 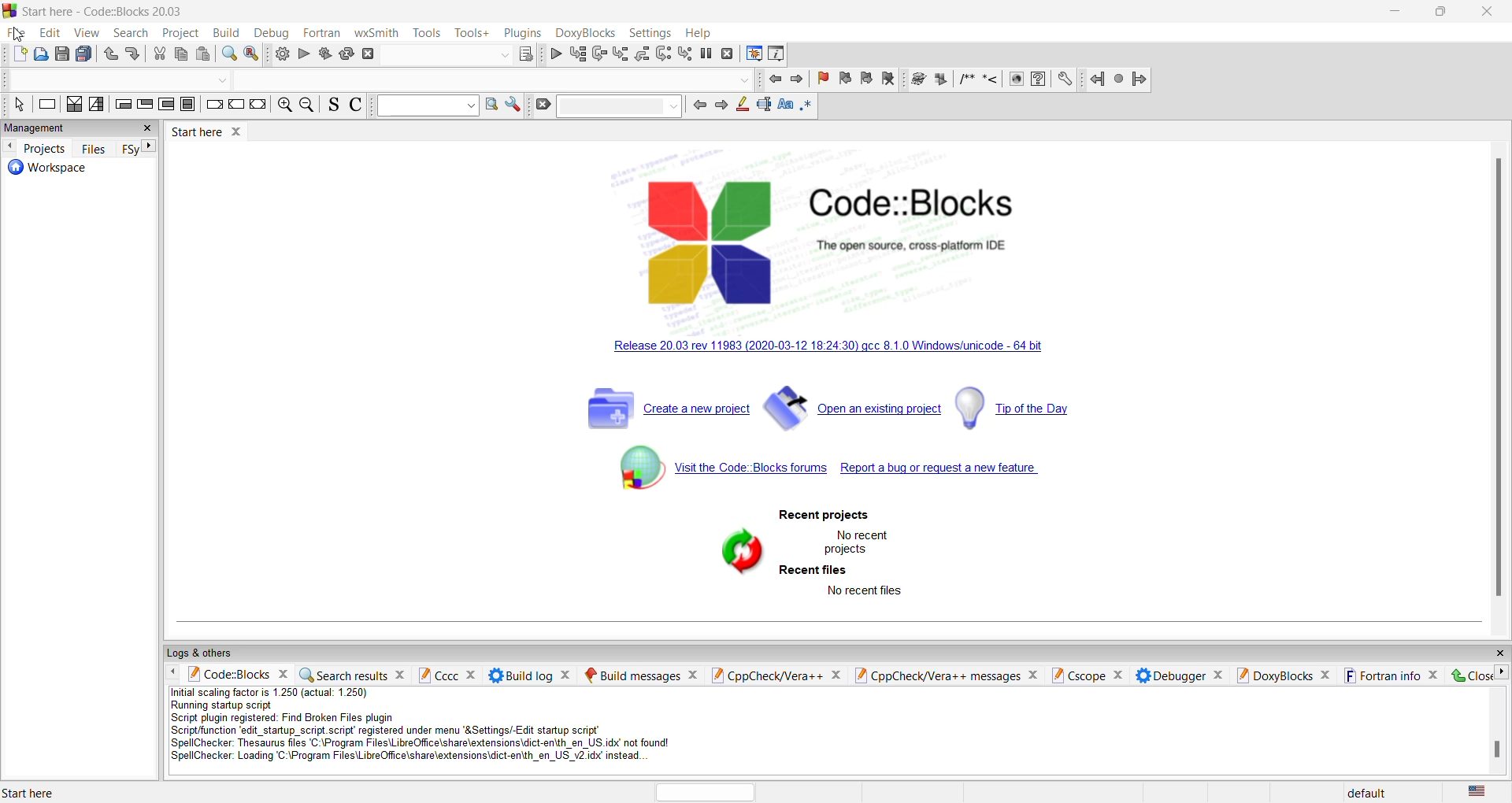 I want to click on recent projects, so click(x=824, y=516).